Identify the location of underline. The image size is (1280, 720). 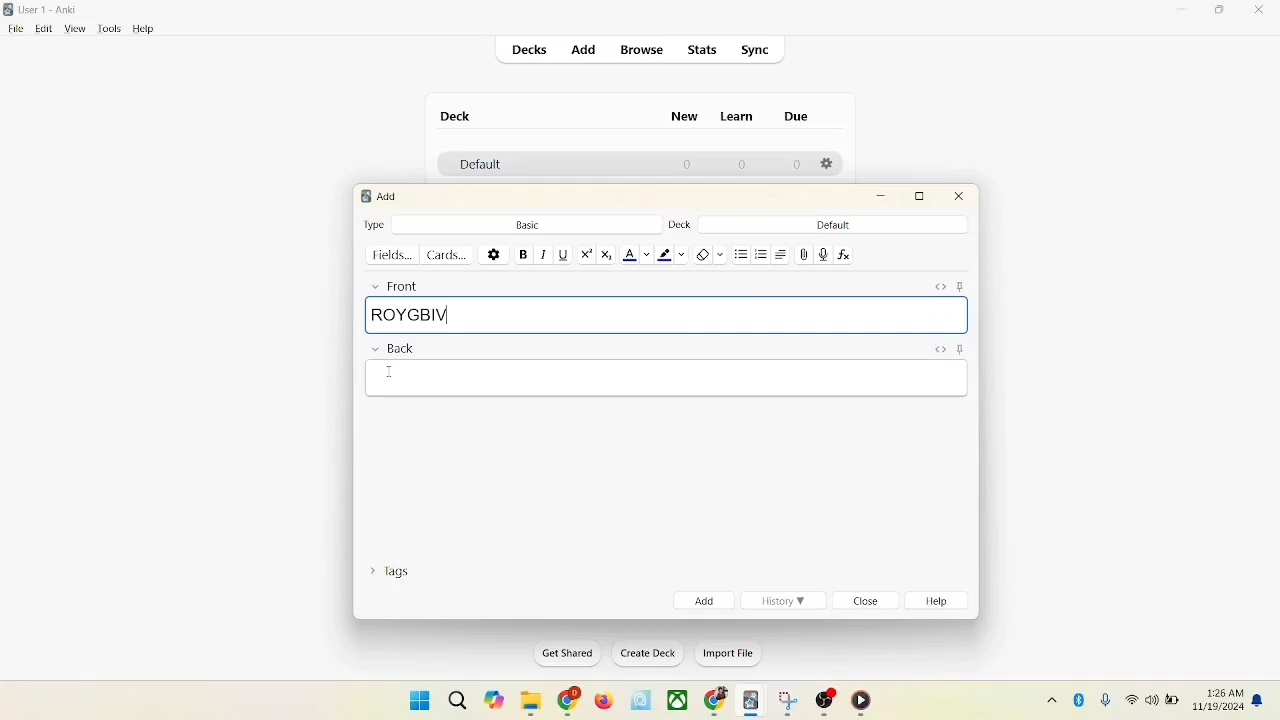
(562, 254).